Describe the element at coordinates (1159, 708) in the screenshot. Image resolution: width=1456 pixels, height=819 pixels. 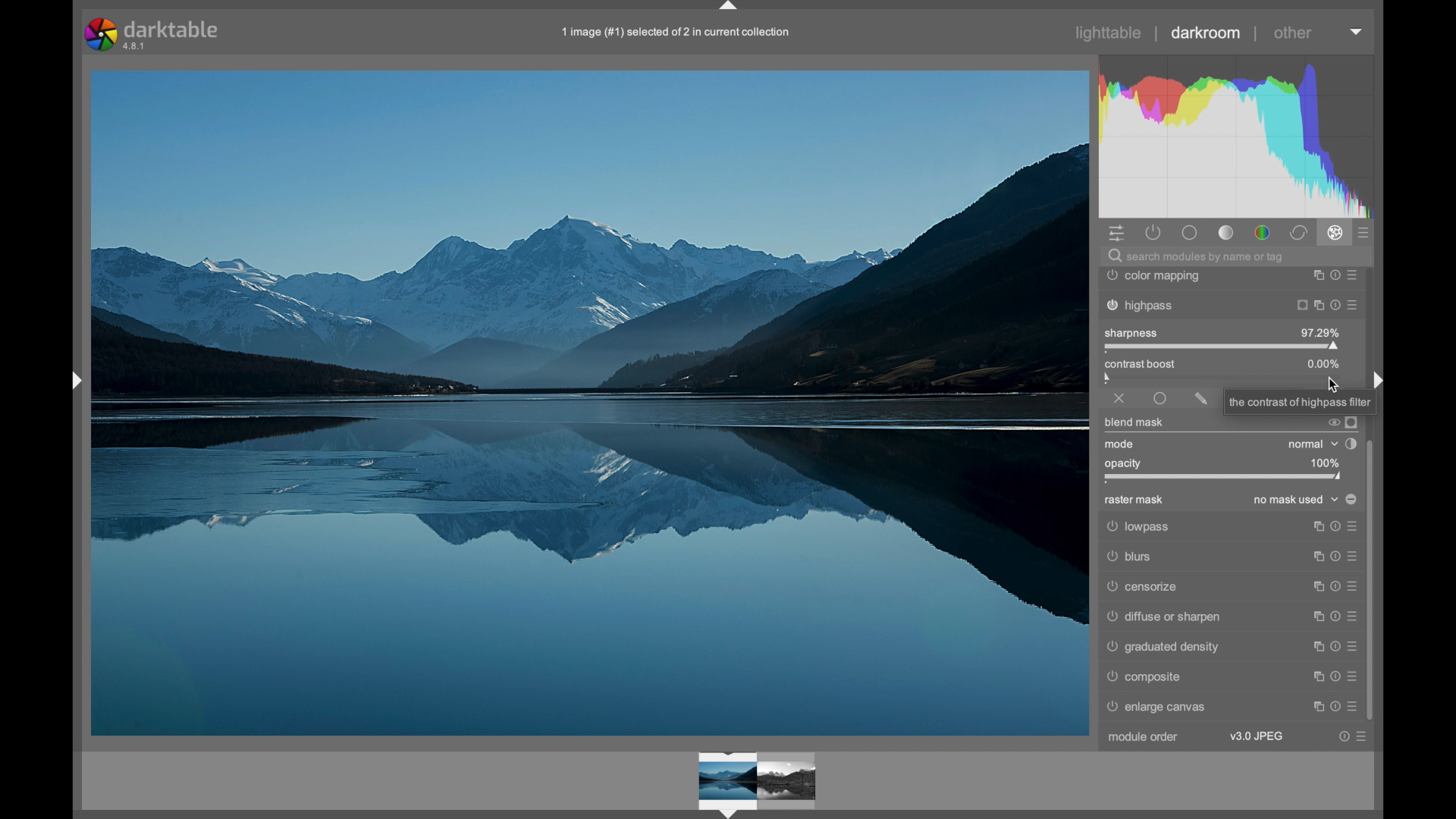
I see `enlarge canvas` at that location.